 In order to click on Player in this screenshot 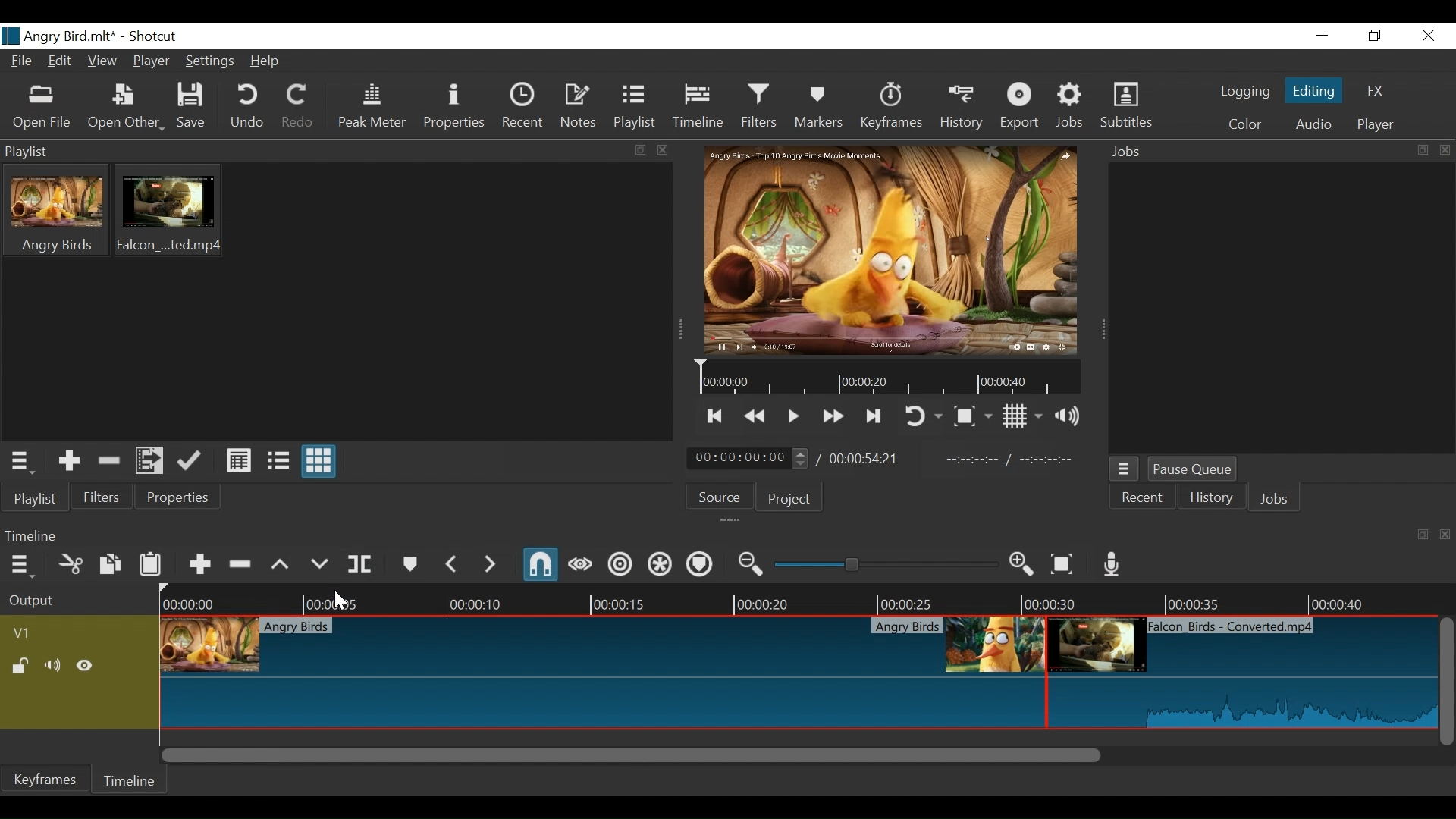, I will do `click(1378, 124)`.